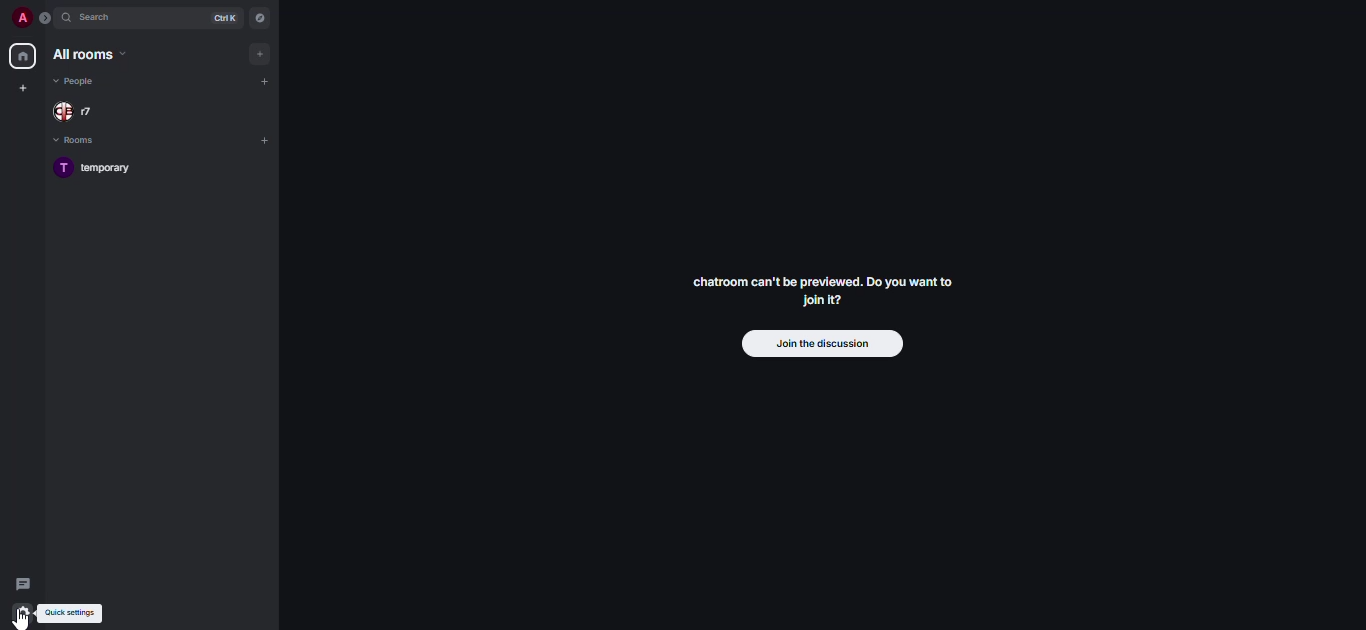  Describe the element at coordinates (221, 18) in the screenshot. I see `ctrl K` at that location.